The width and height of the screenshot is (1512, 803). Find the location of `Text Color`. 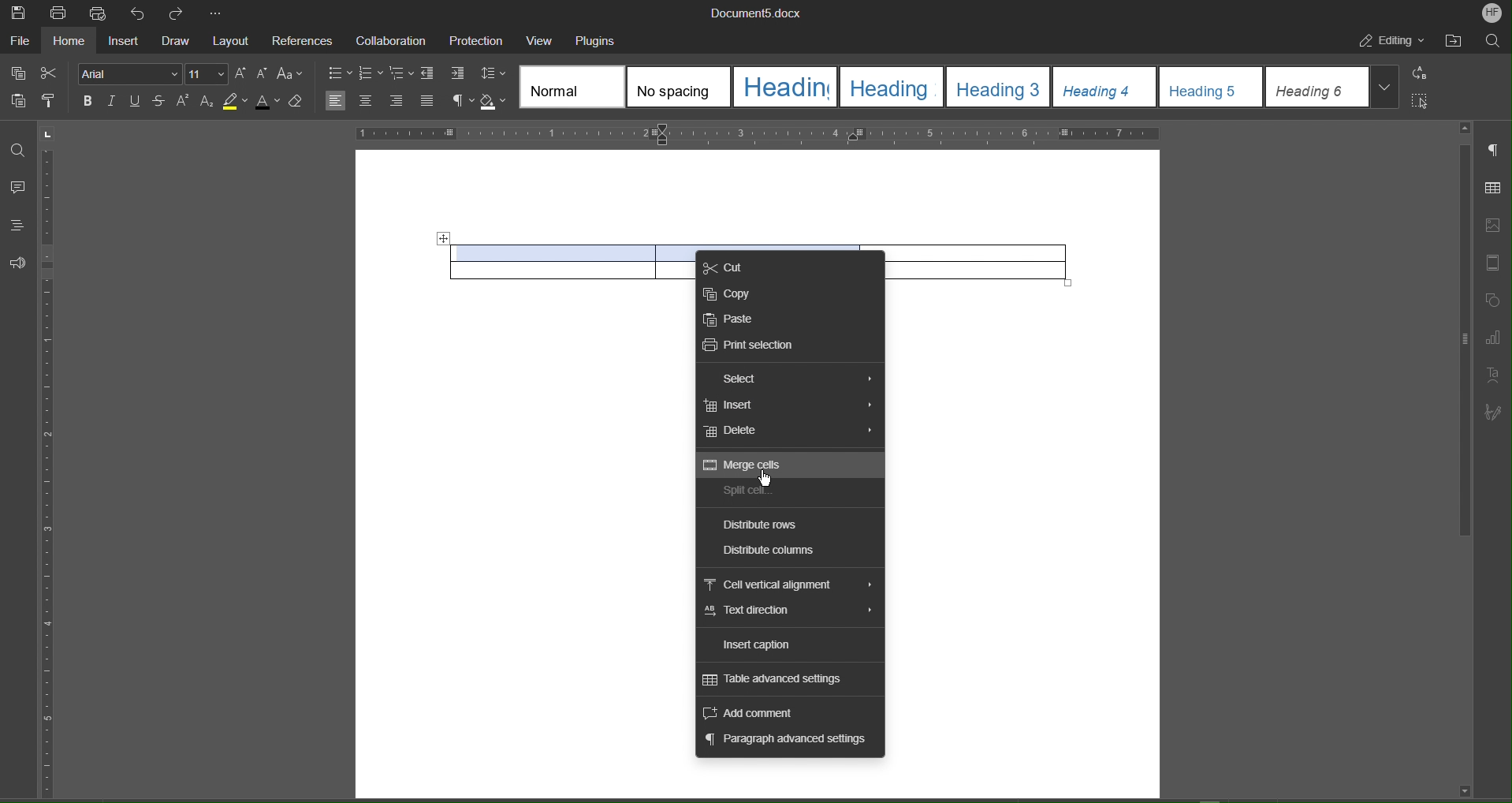

Text Color is located at coordinates (268, 101).